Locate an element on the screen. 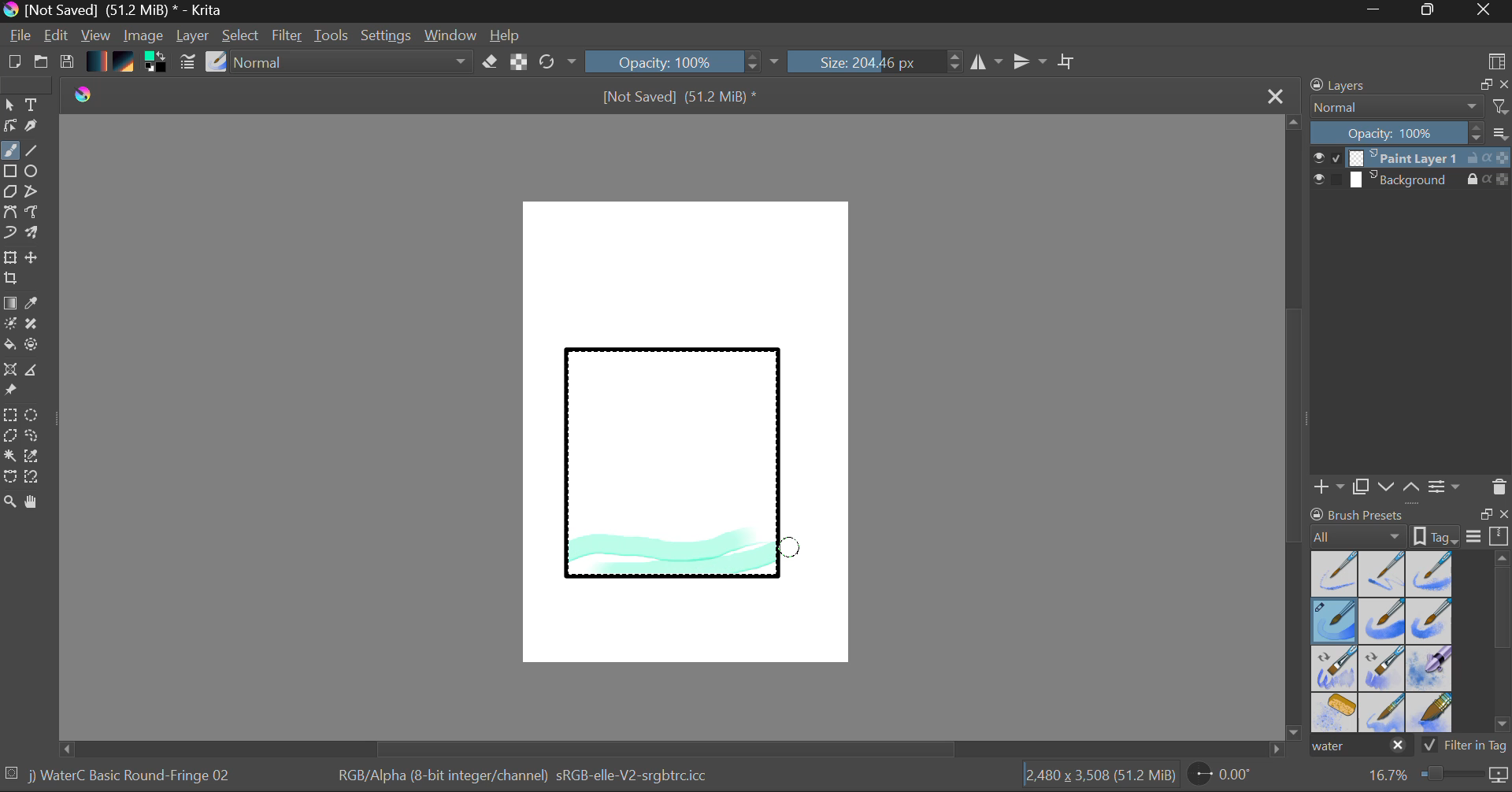  Brush Size is located at coordinates (876, 61).